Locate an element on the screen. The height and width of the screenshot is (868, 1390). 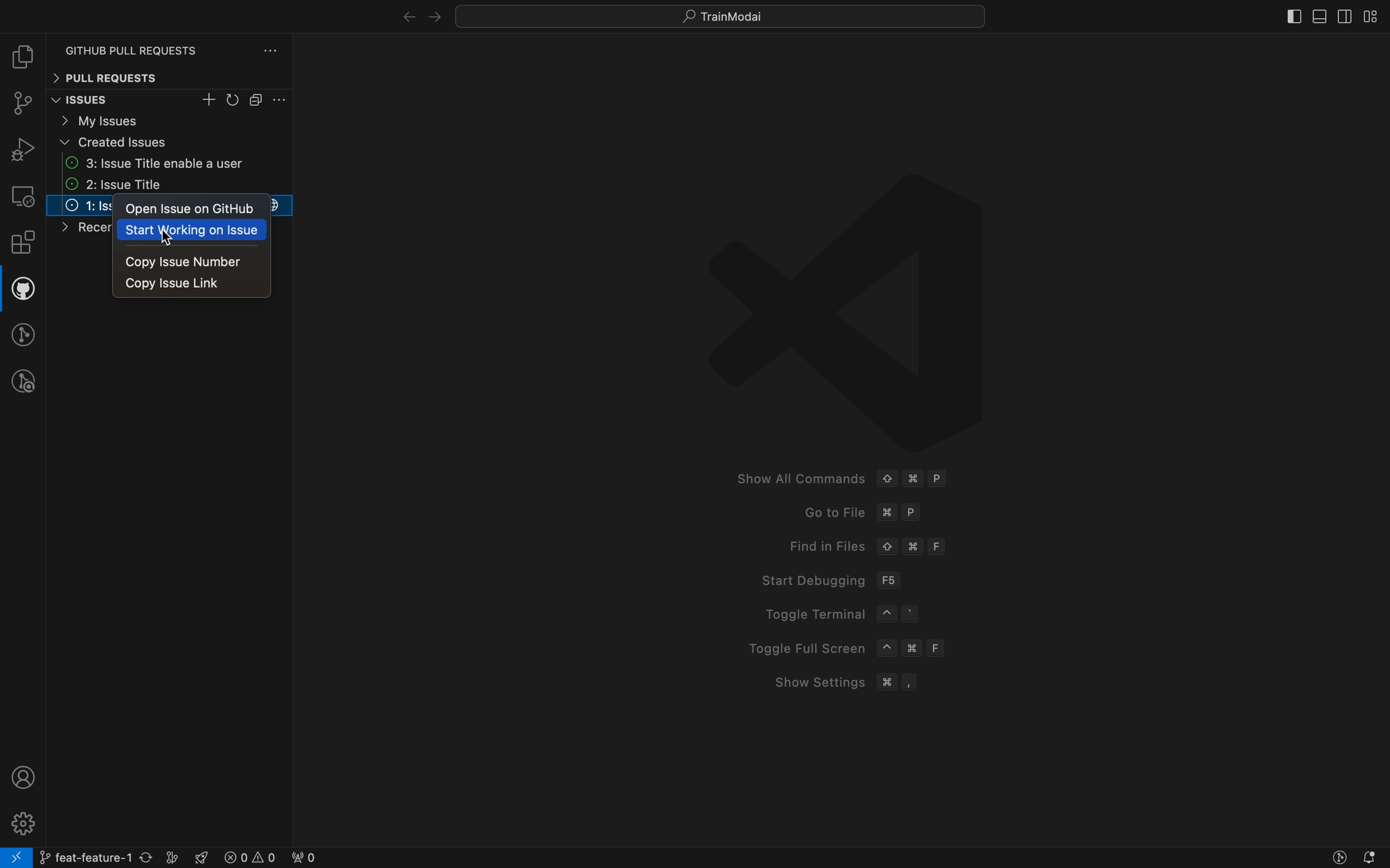
toggle primary is located at coordinates (1320, 14).